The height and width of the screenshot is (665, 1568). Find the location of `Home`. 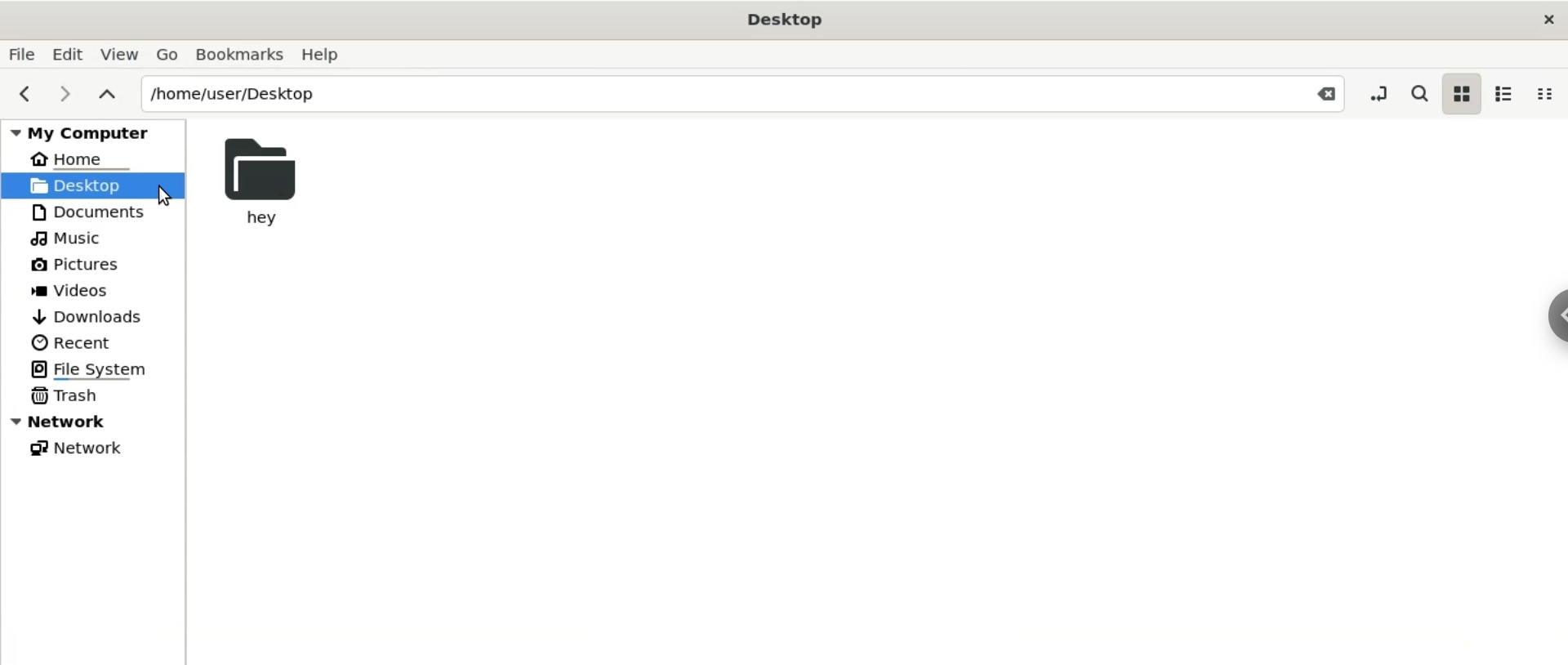

Home is located at coordinates (79, 158).